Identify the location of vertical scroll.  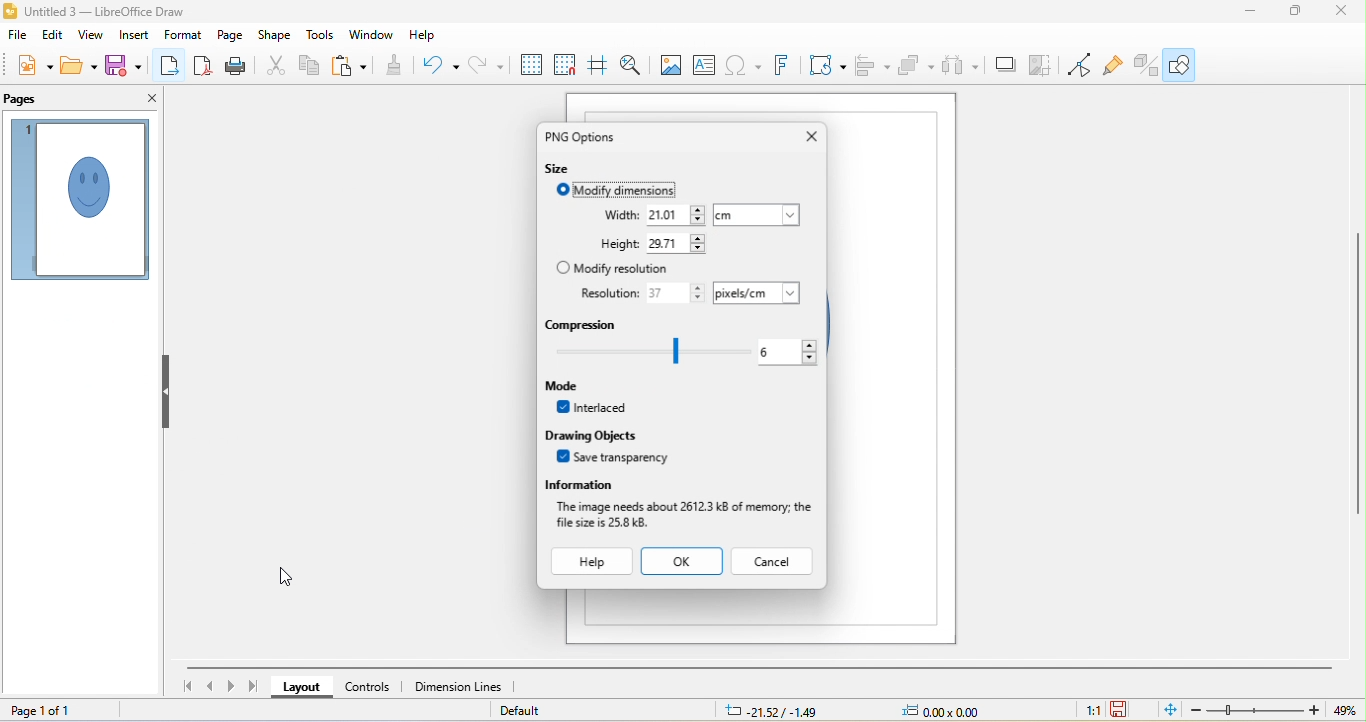
(1351, 380).